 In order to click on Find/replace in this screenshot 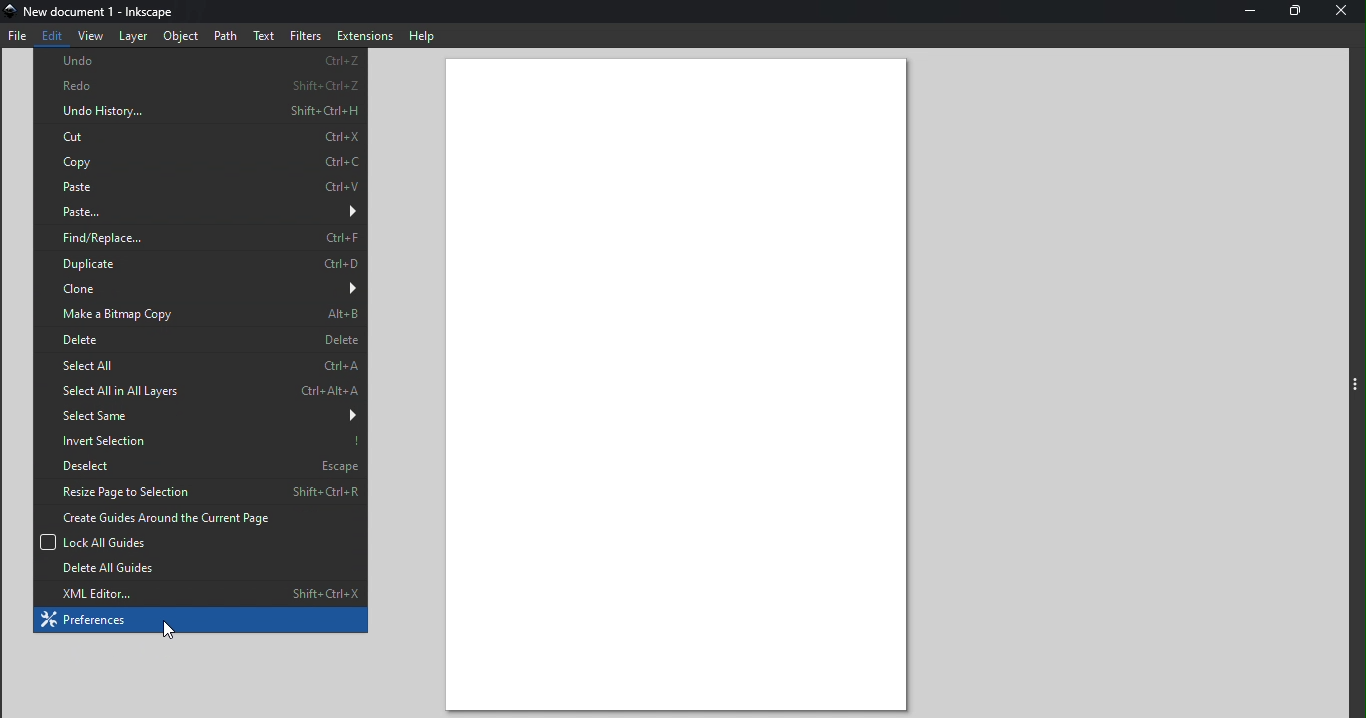, I will do `click(202, 237)`.